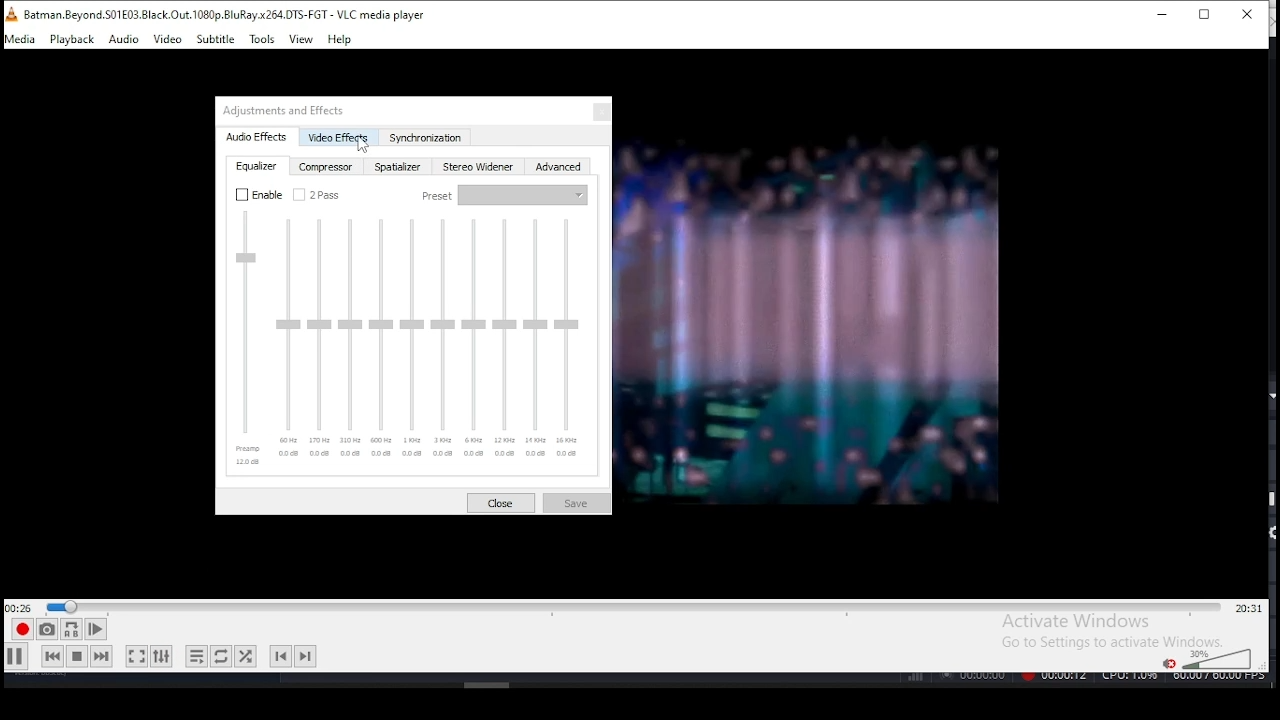  I want to click on help, so click(339, 39).